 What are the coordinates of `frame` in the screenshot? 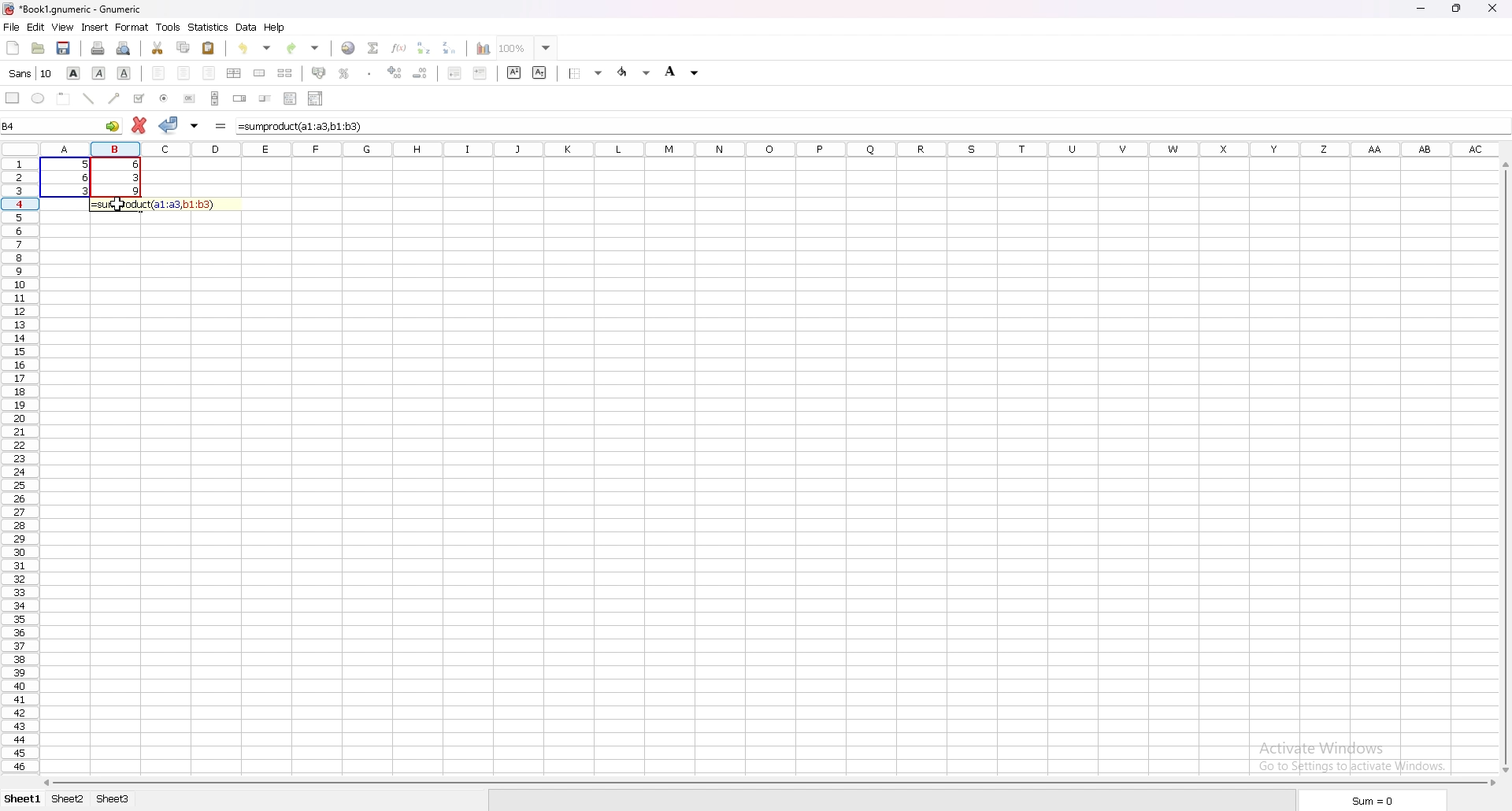 It's located at (63, 99).